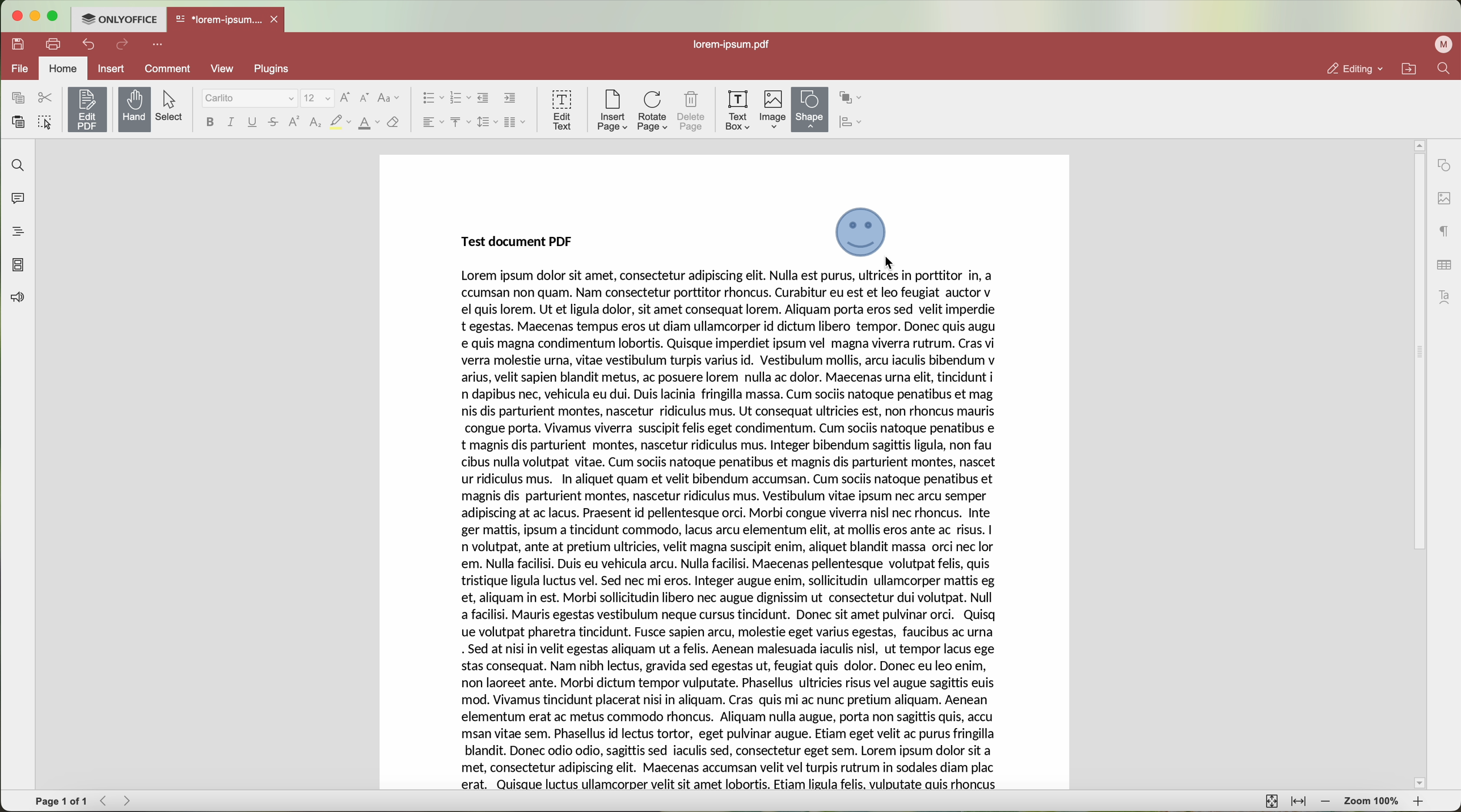 This screenshot has height=812, width=1461. I want to click on home, so click(65, 67).